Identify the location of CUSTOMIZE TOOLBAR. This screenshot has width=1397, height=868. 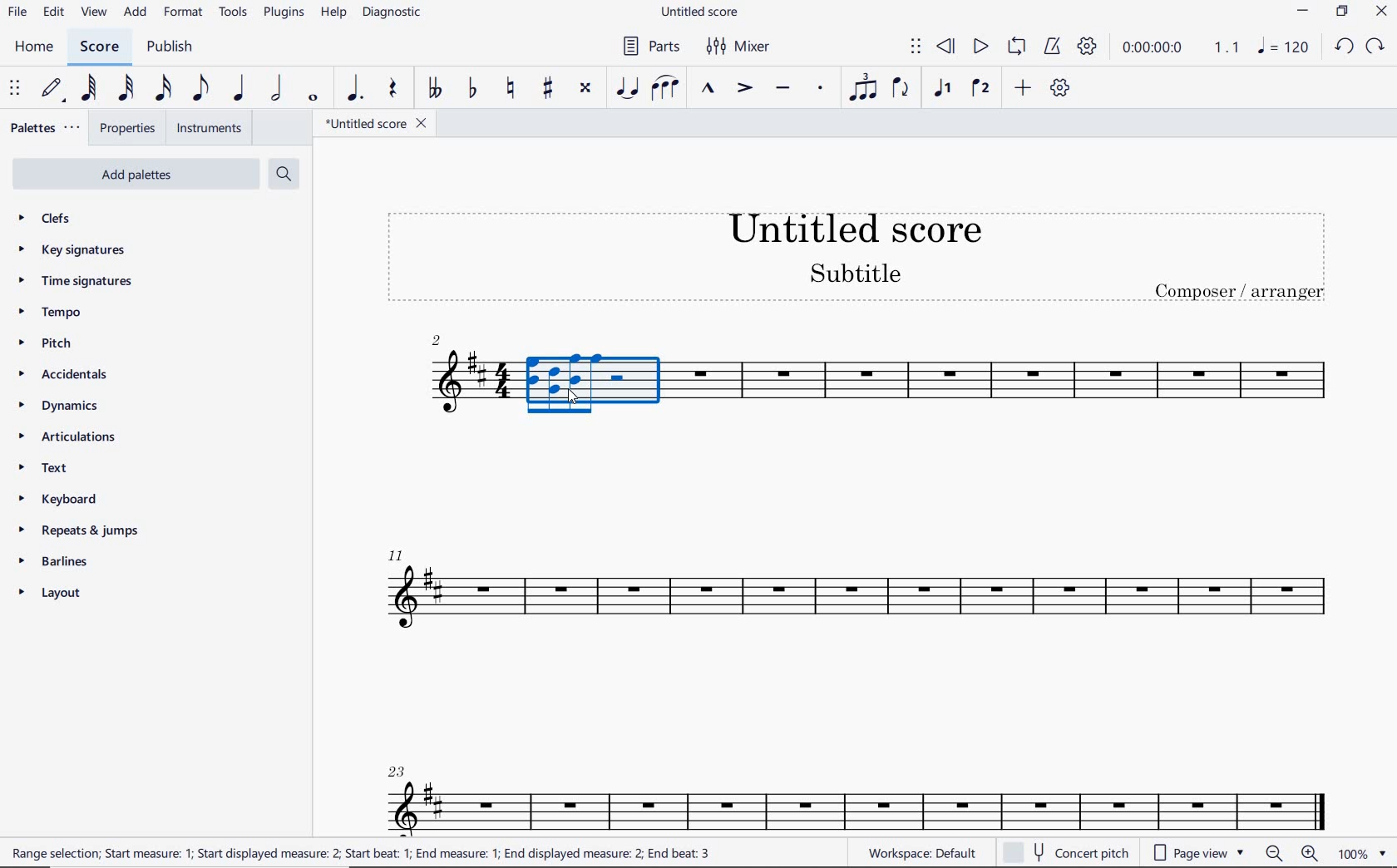
(1060, 88).